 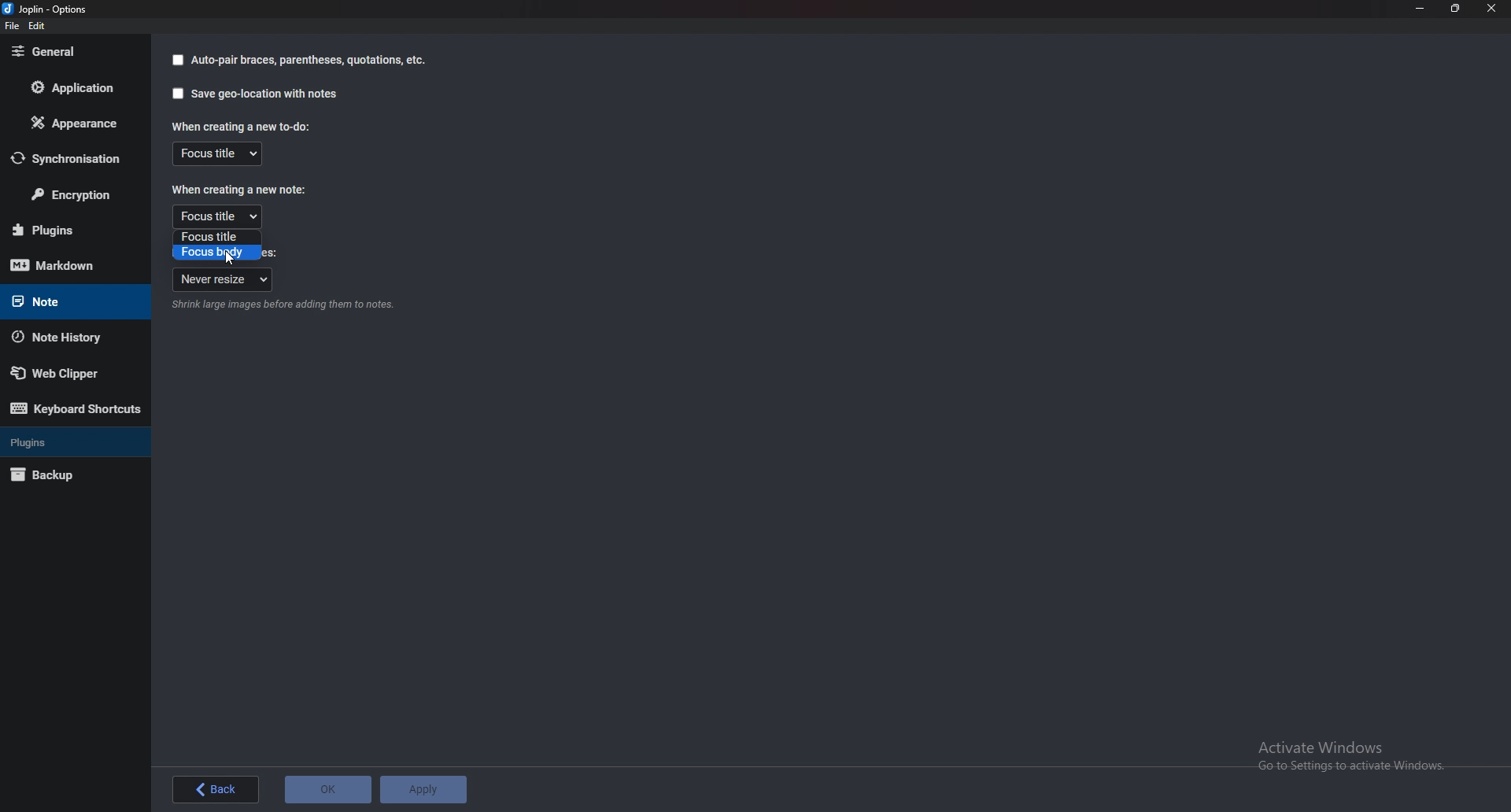 I want to click on minimize, so click(x=1418, y=9).